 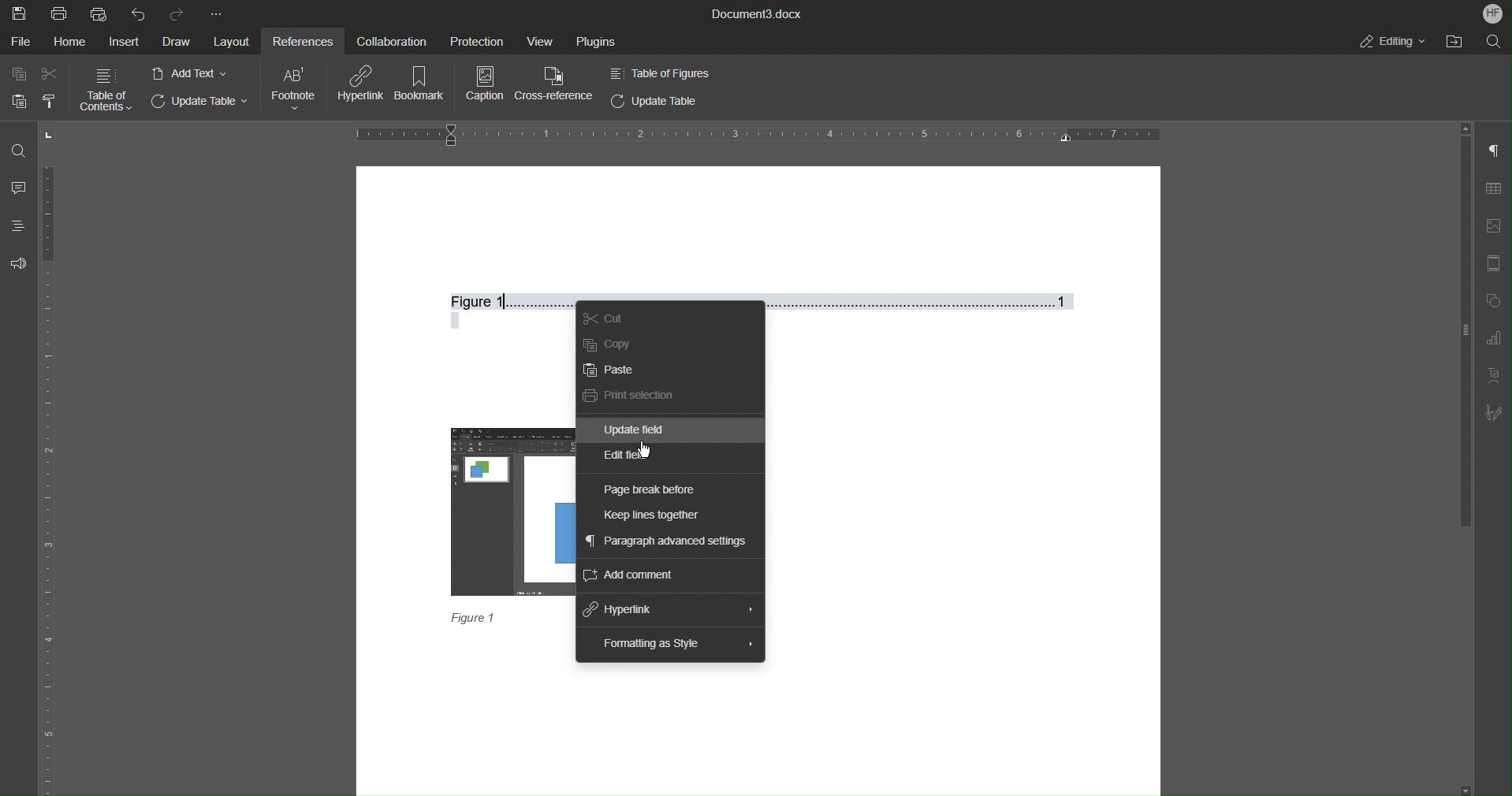 What do you see at coordinates (60, 13) in the screenshot?
I see `Print` at bounding box center [60, 13].